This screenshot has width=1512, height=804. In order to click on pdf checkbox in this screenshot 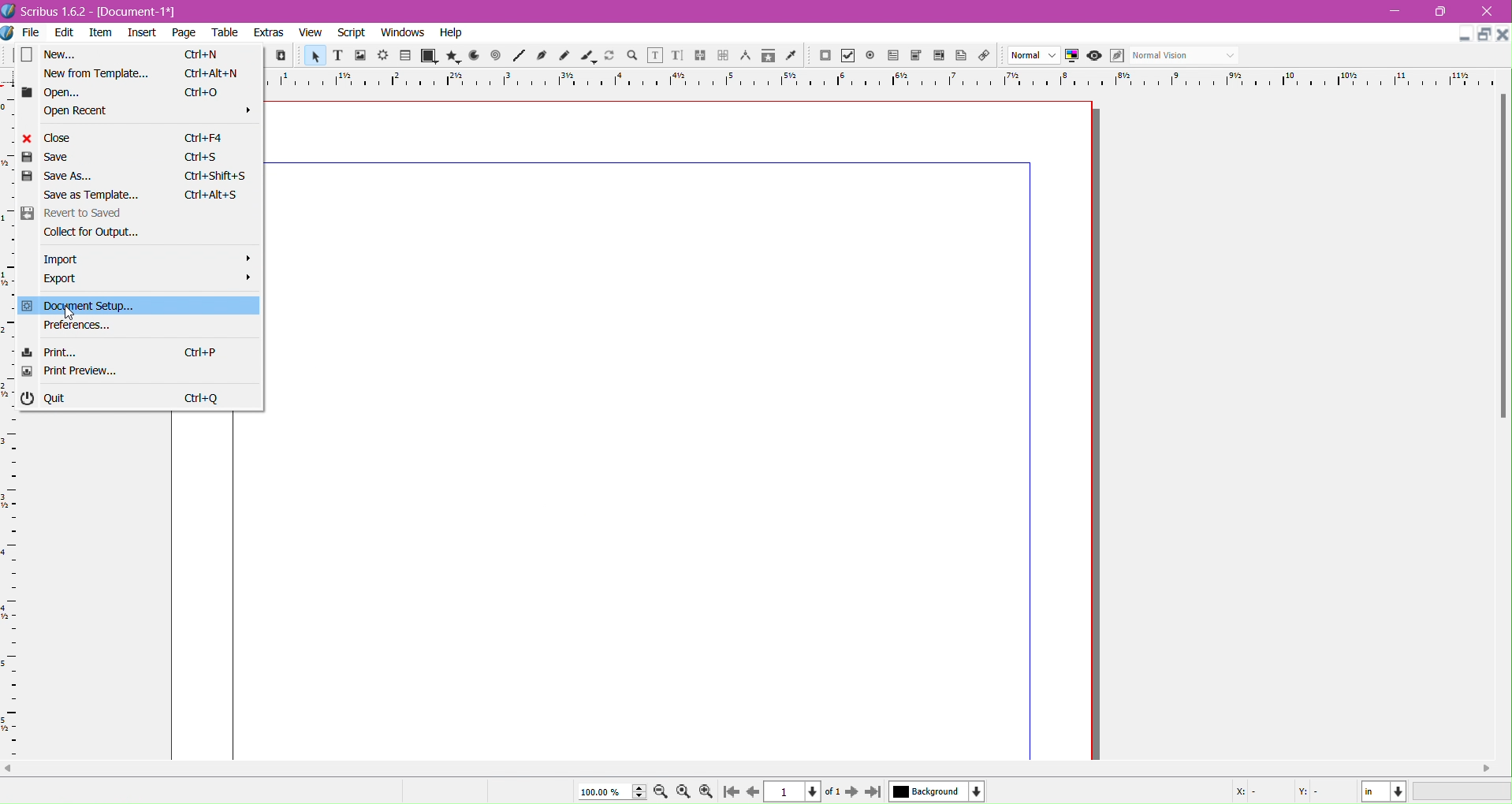, I will do `click(847, 56)`.